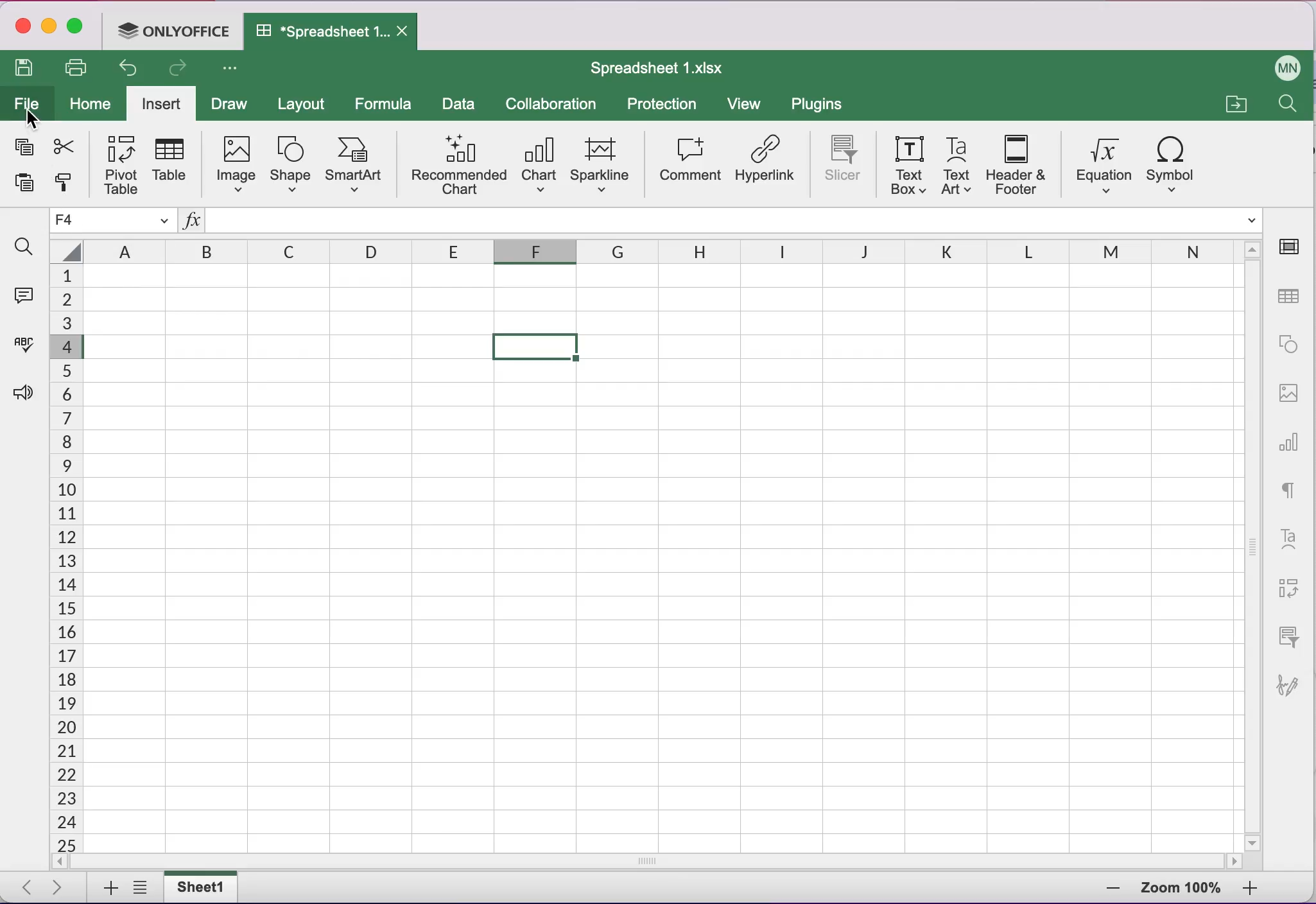 The image size is (1316, 904). I want to click on tab, so click(330, 33).